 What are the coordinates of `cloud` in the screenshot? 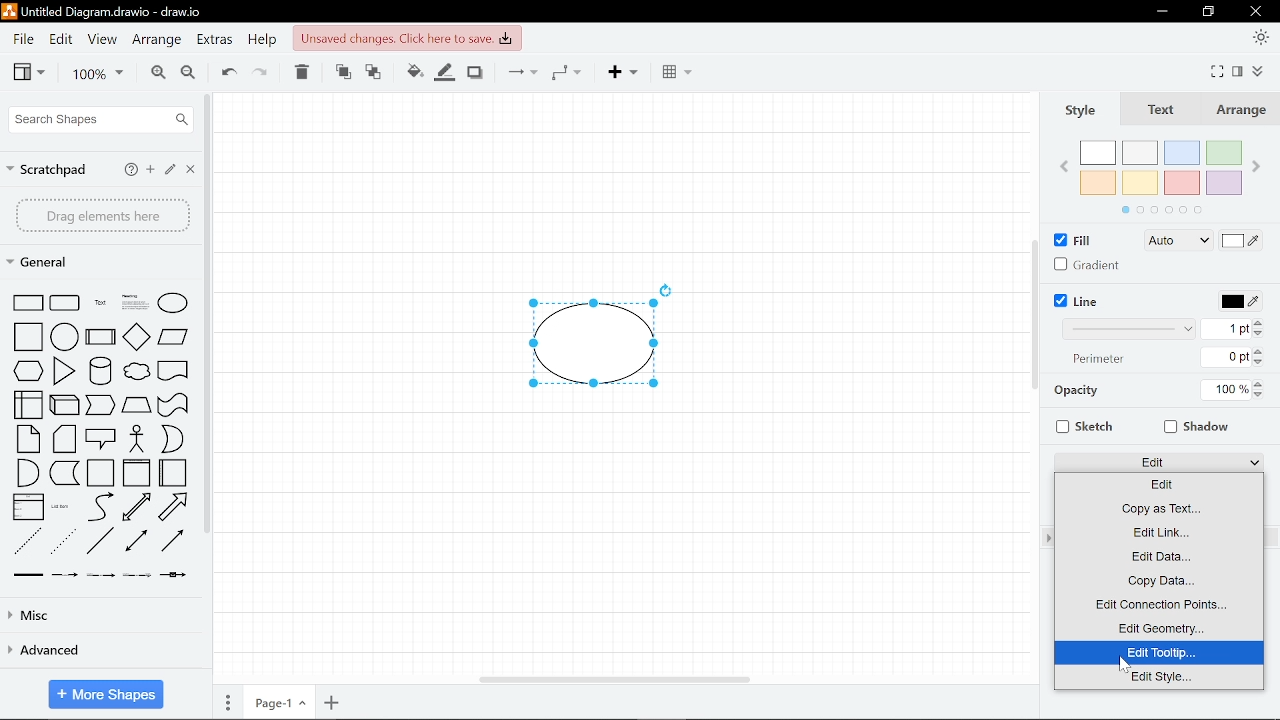 It's located at (136, 370).